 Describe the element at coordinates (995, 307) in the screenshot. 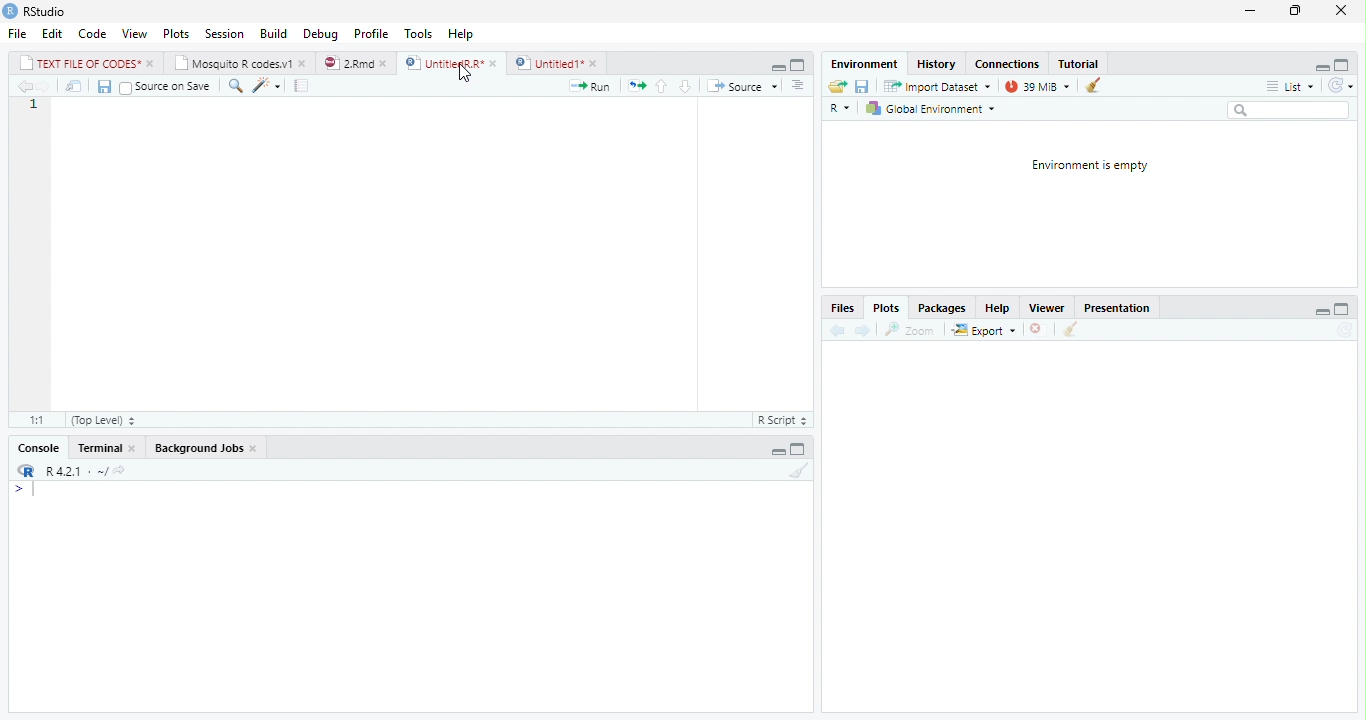

I see `Help` at that location.